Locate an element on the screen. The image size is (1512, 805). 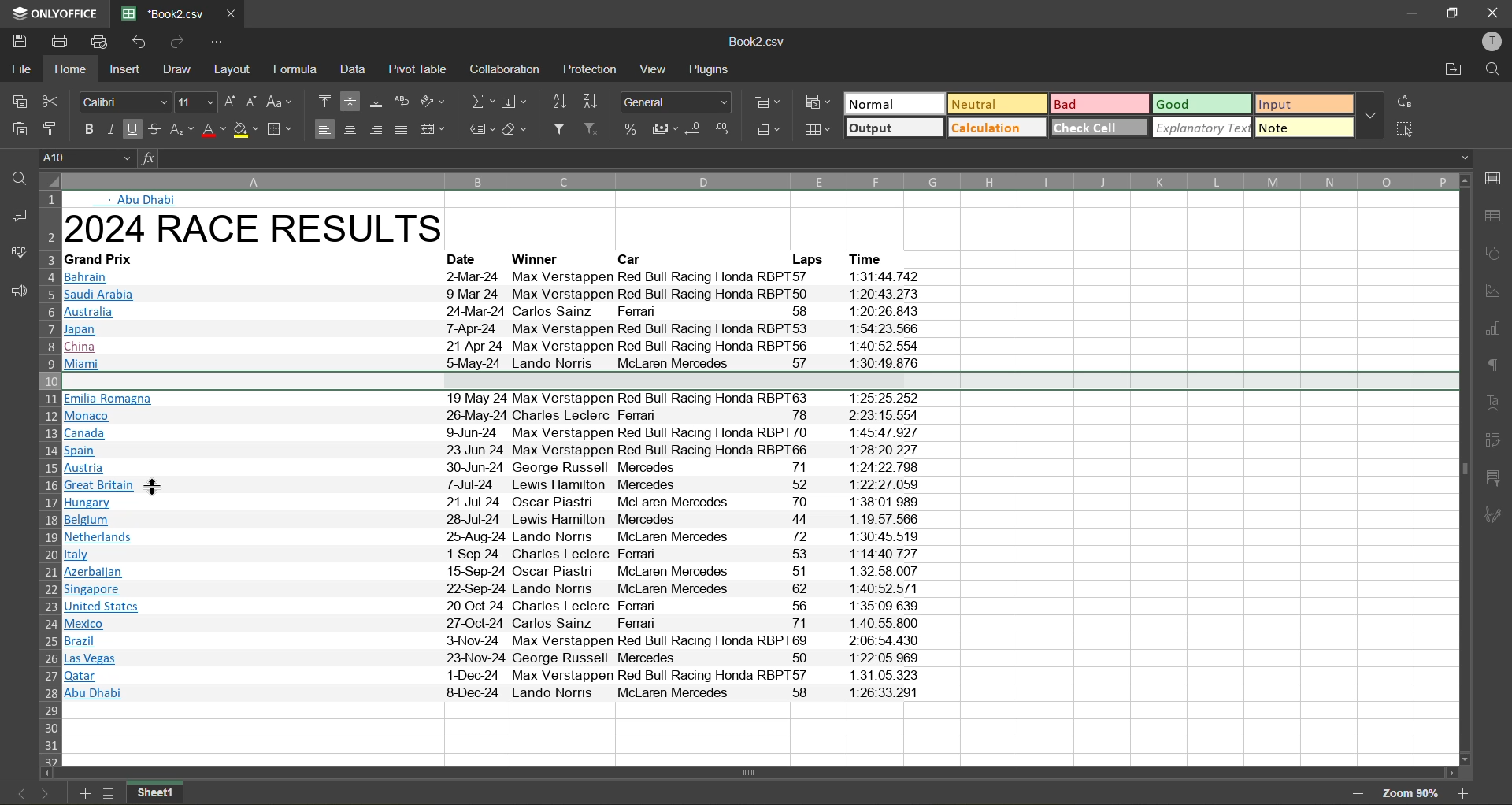
select all is located at coordinates (1406, 129).